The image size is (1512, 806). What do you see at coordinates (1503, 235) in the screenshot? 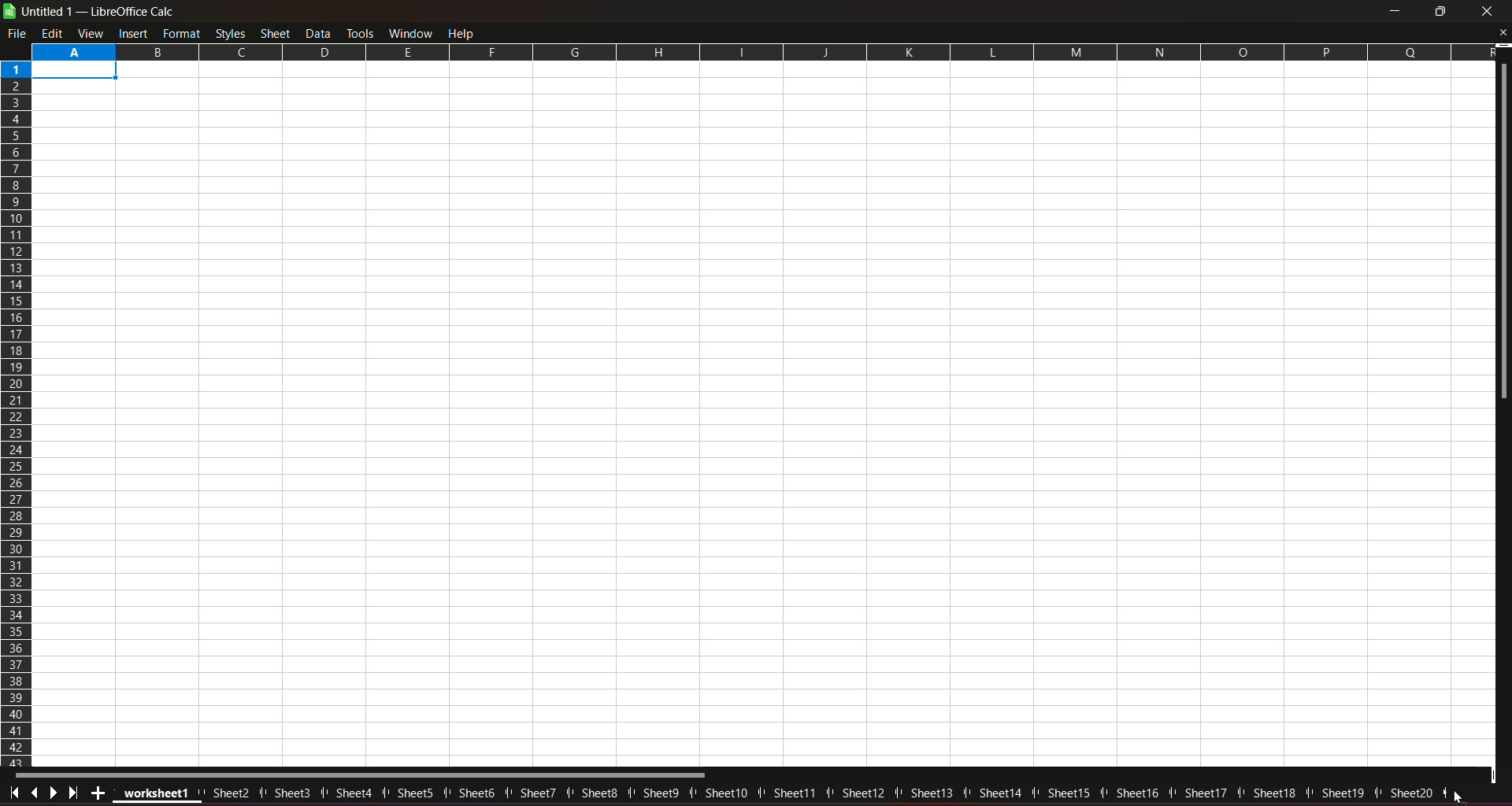
I see `vertical scroll` at bounding box center [1503, 235].